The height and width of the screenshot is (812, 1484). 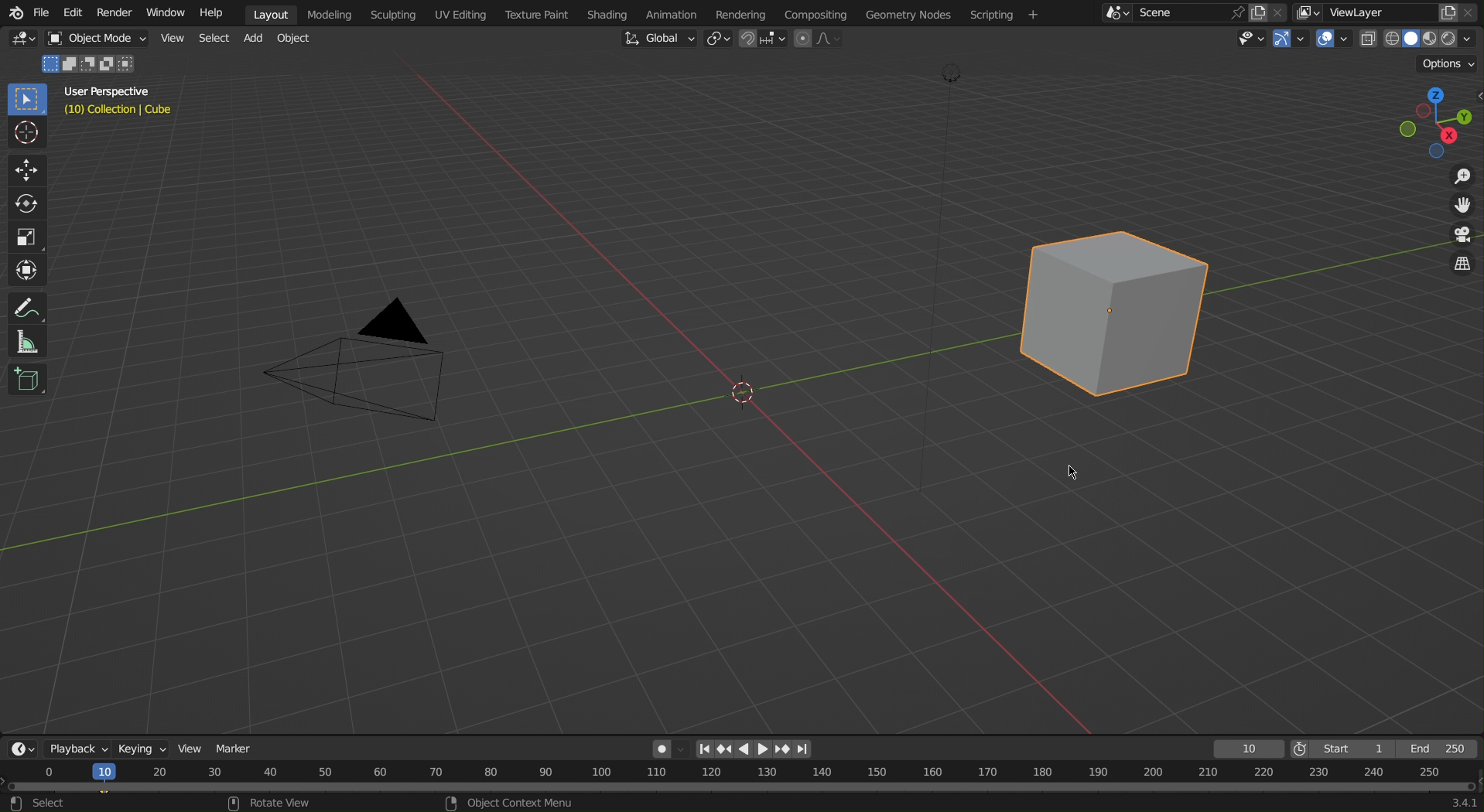 I want to click on Scale, so click(x=29, y=234).